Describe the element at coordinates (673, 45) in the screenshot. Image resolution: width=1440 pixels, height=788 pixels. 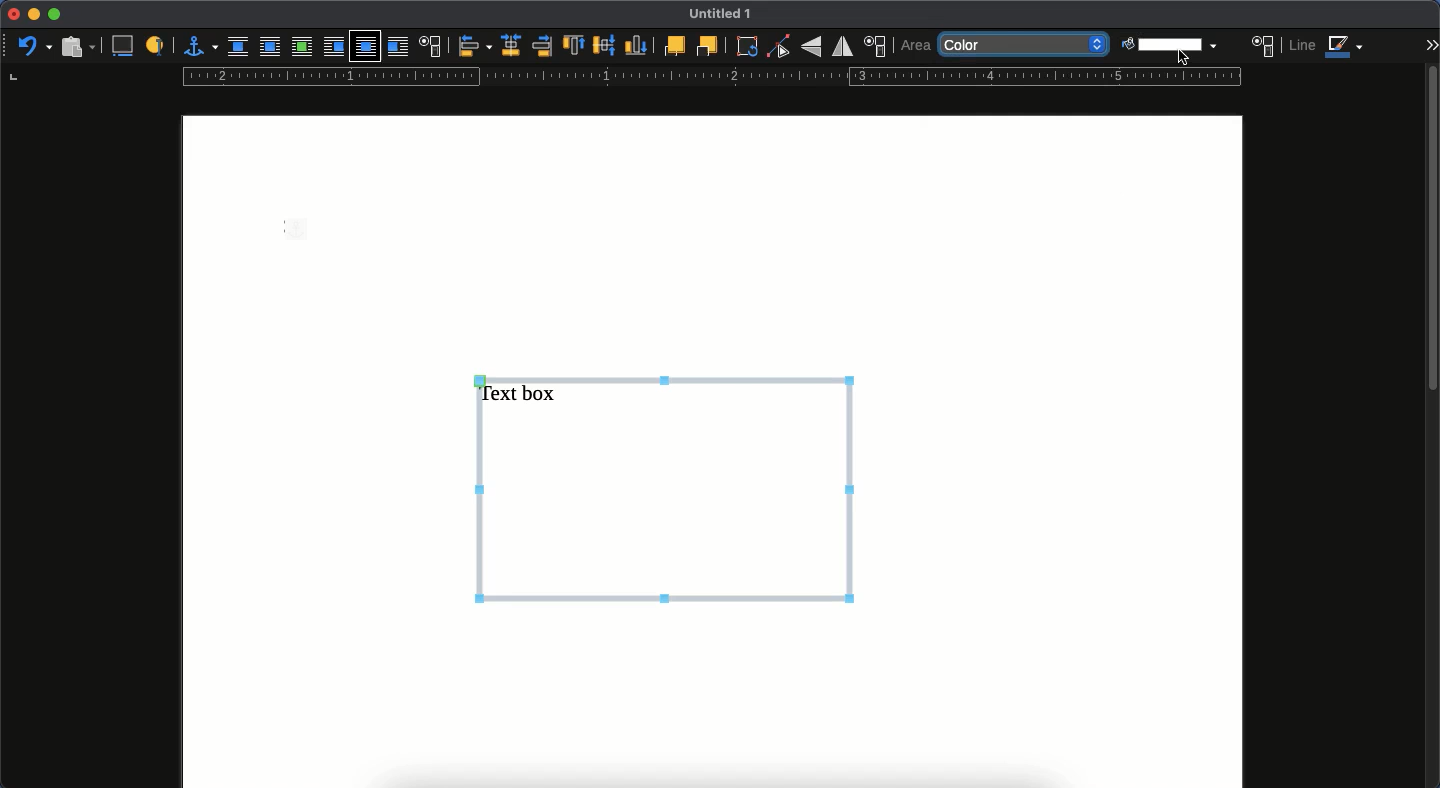
I see `front one` at that location.